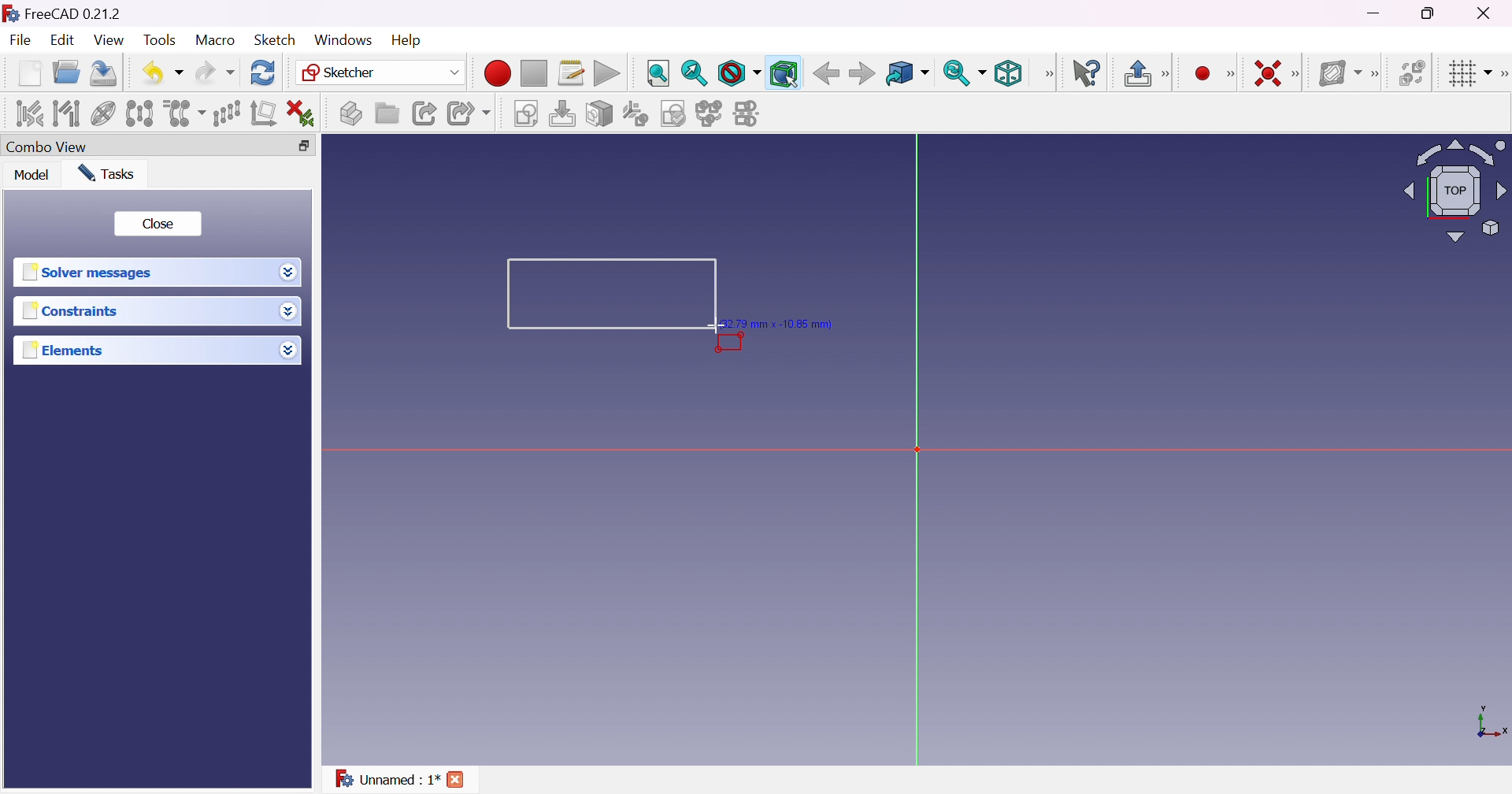 The image size is (1512, 794). I want to click on Sketcher, so click(383, 71).